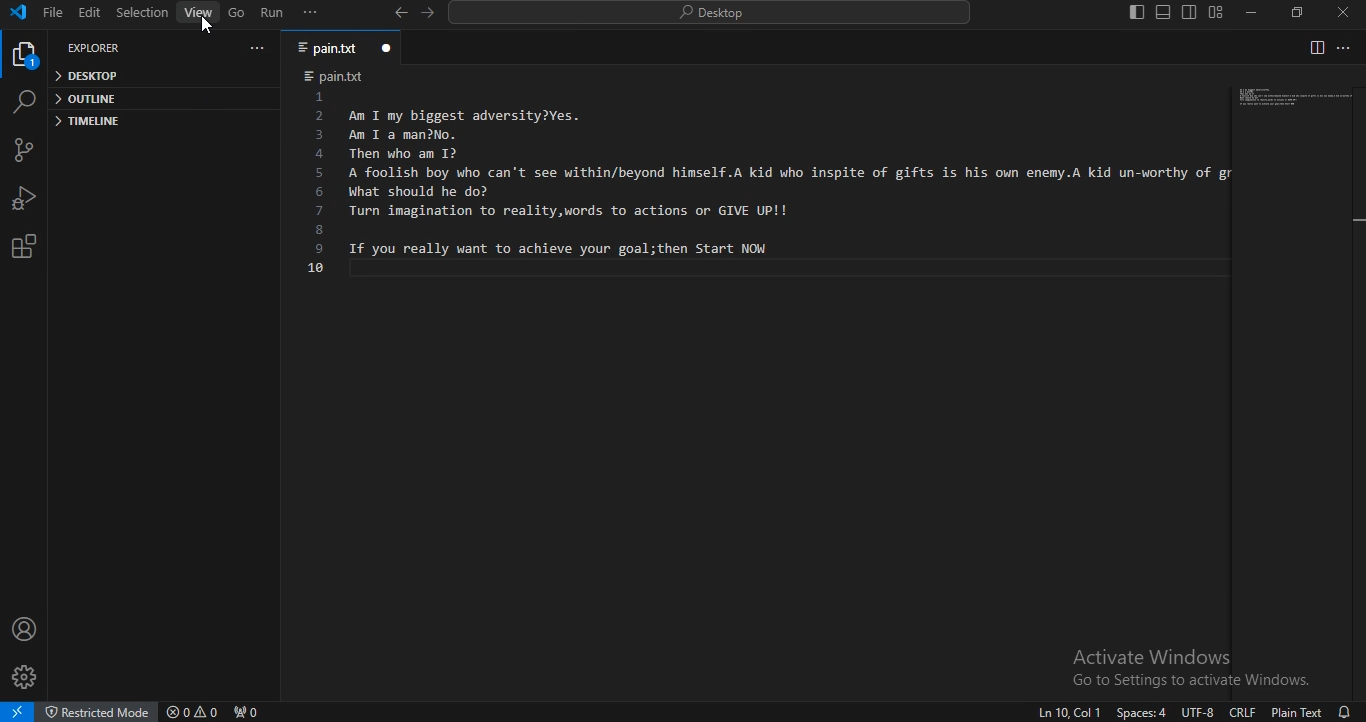  I want to click on split editor right, so click(1314, 47).